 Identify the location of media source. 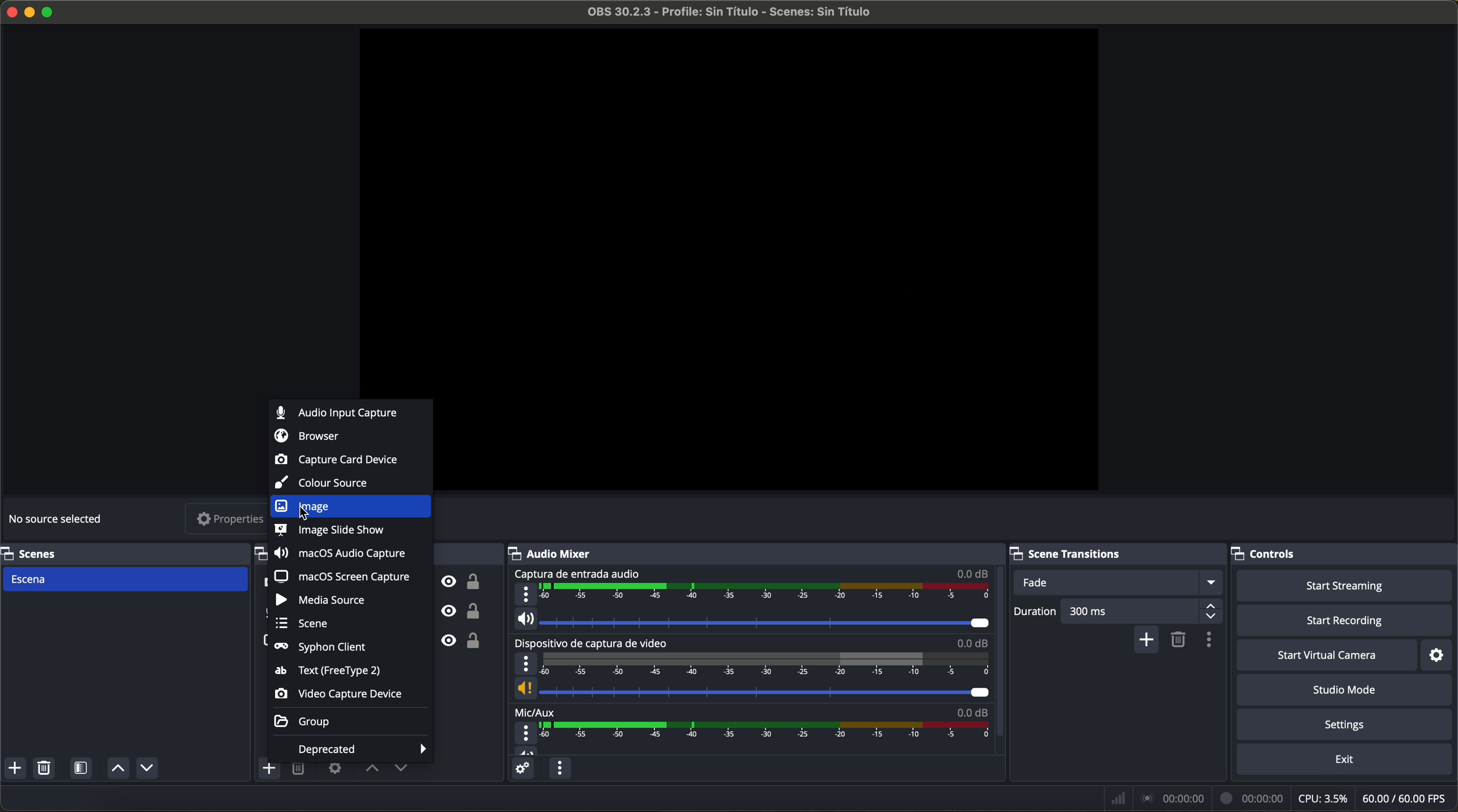
(319, 601).